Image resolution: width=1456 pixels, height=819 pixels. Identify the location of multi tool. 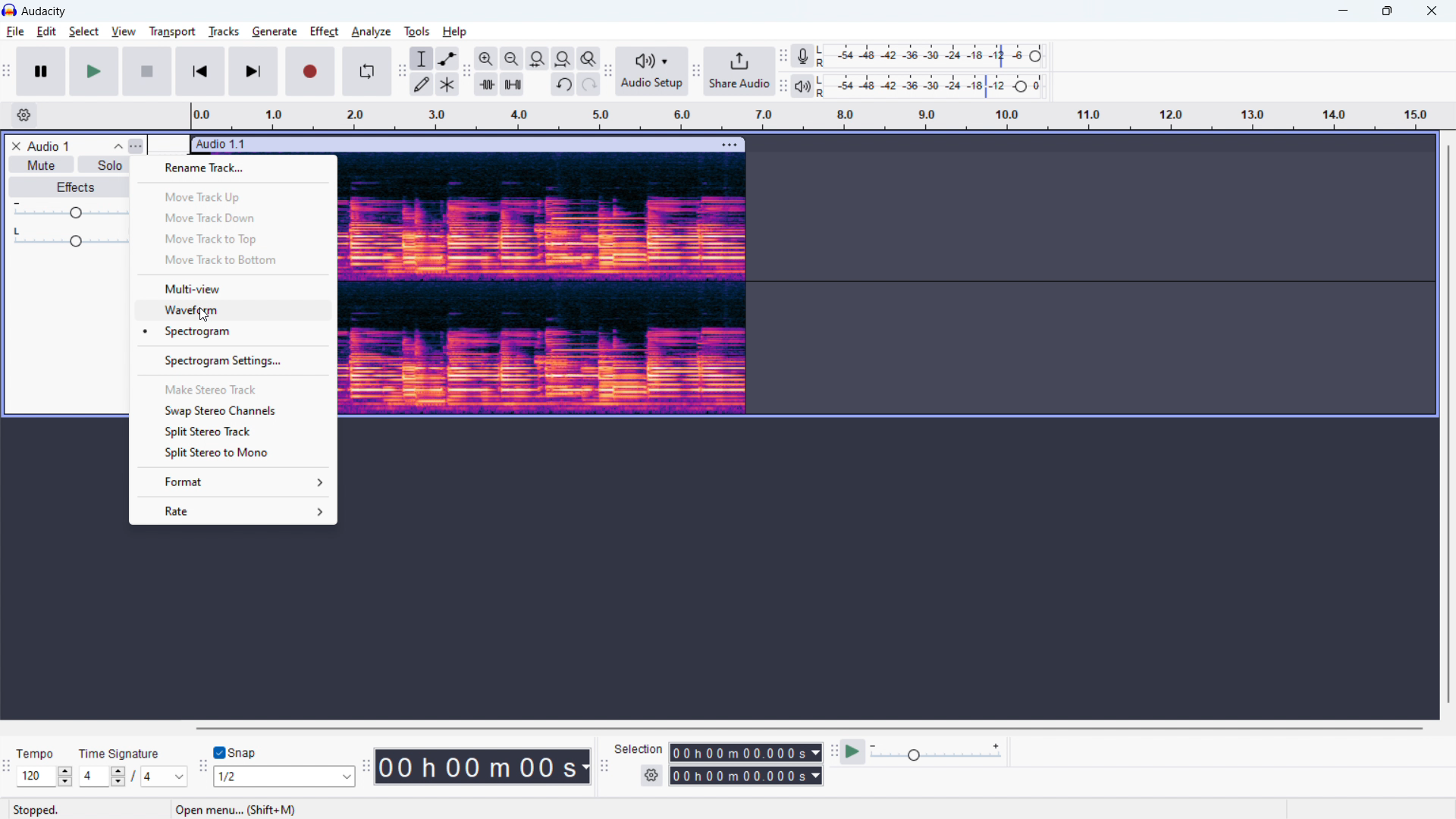
(447, 84).